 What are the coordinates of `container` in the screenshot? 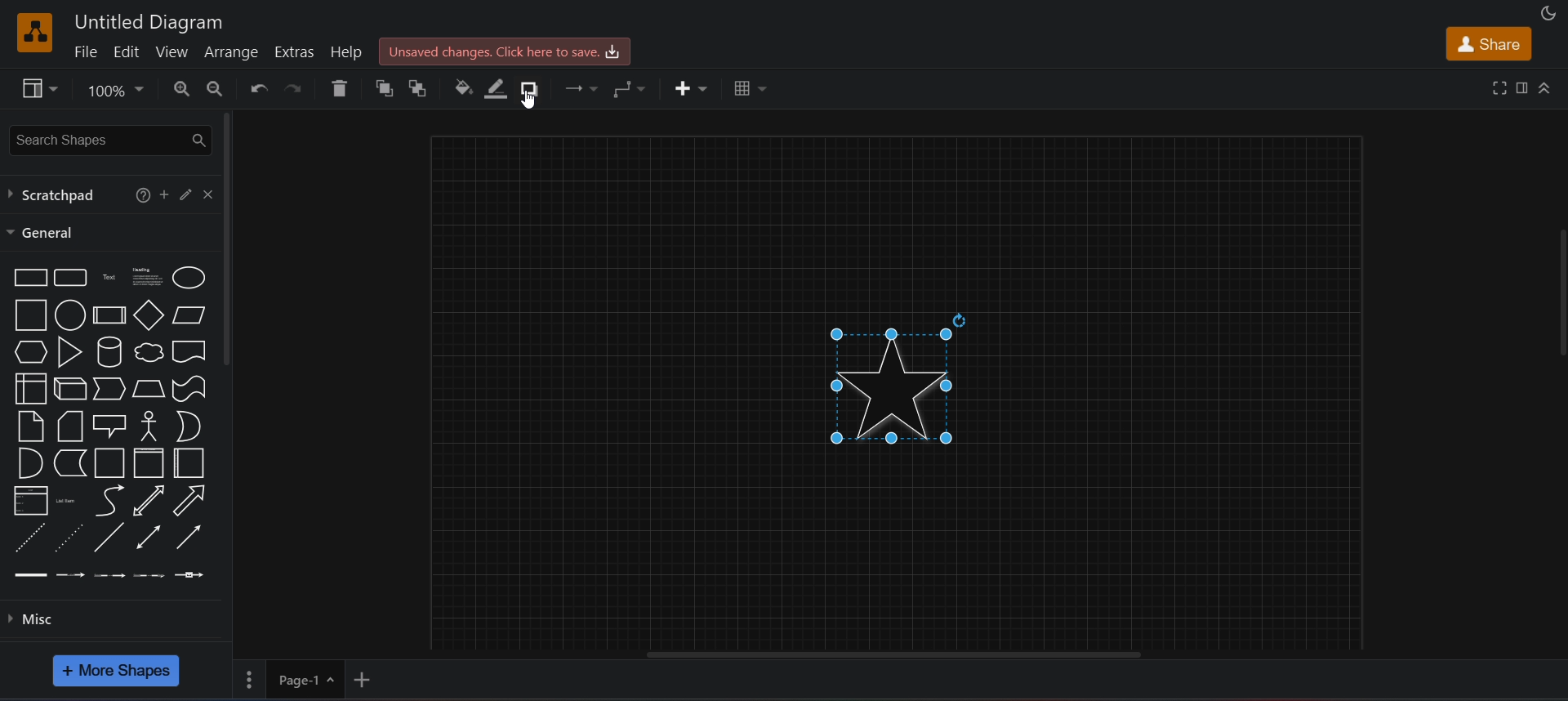 It's located at (109, 462).